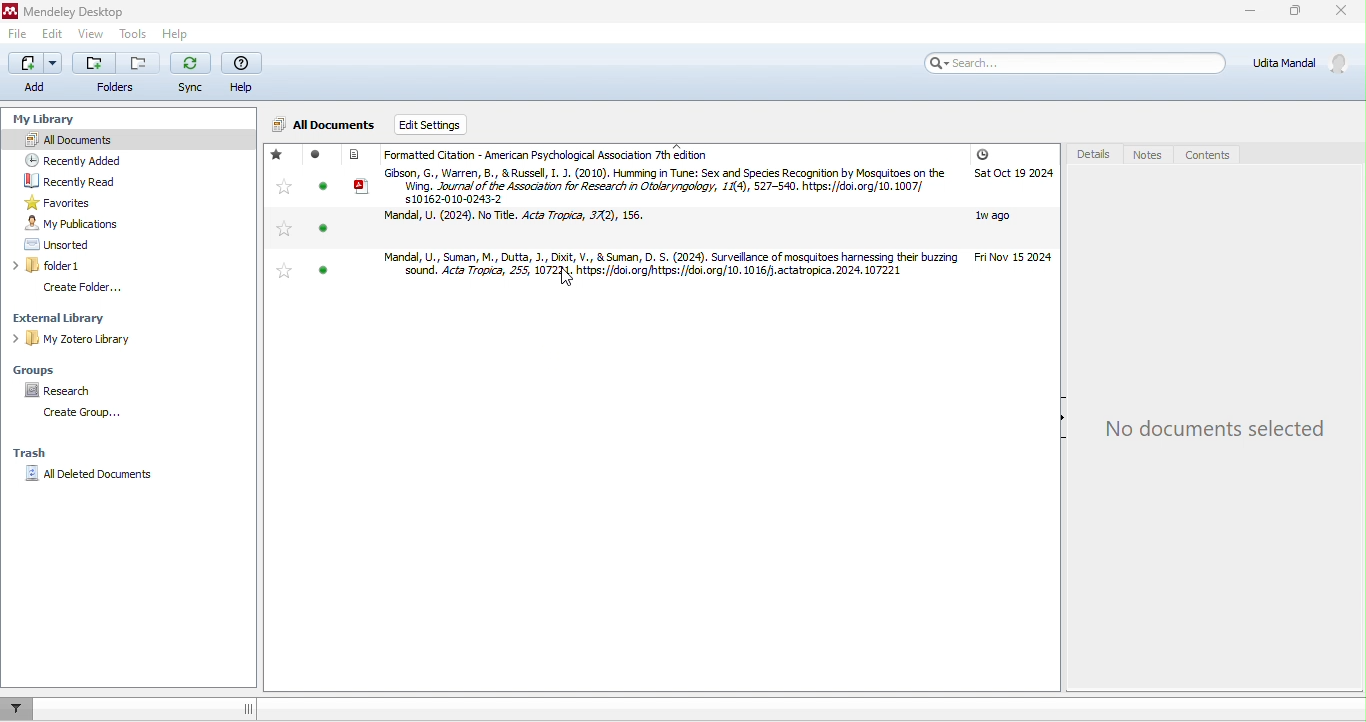 The height and width of the screenshot is (722, 1366). I want to click on Gibson, G., Warren, B., &Russel, 1. J. (2010). Humming in Tune: Sex and Spedes Recognition by Mosquitoes on the: ‘Sat Oct 19 2024
8) Wing. Joumal of the Assocation for Research in Otolaryngology, 129), 527-540. hips: do org/ 10. 1007)
0120100002, so click(700, 186).